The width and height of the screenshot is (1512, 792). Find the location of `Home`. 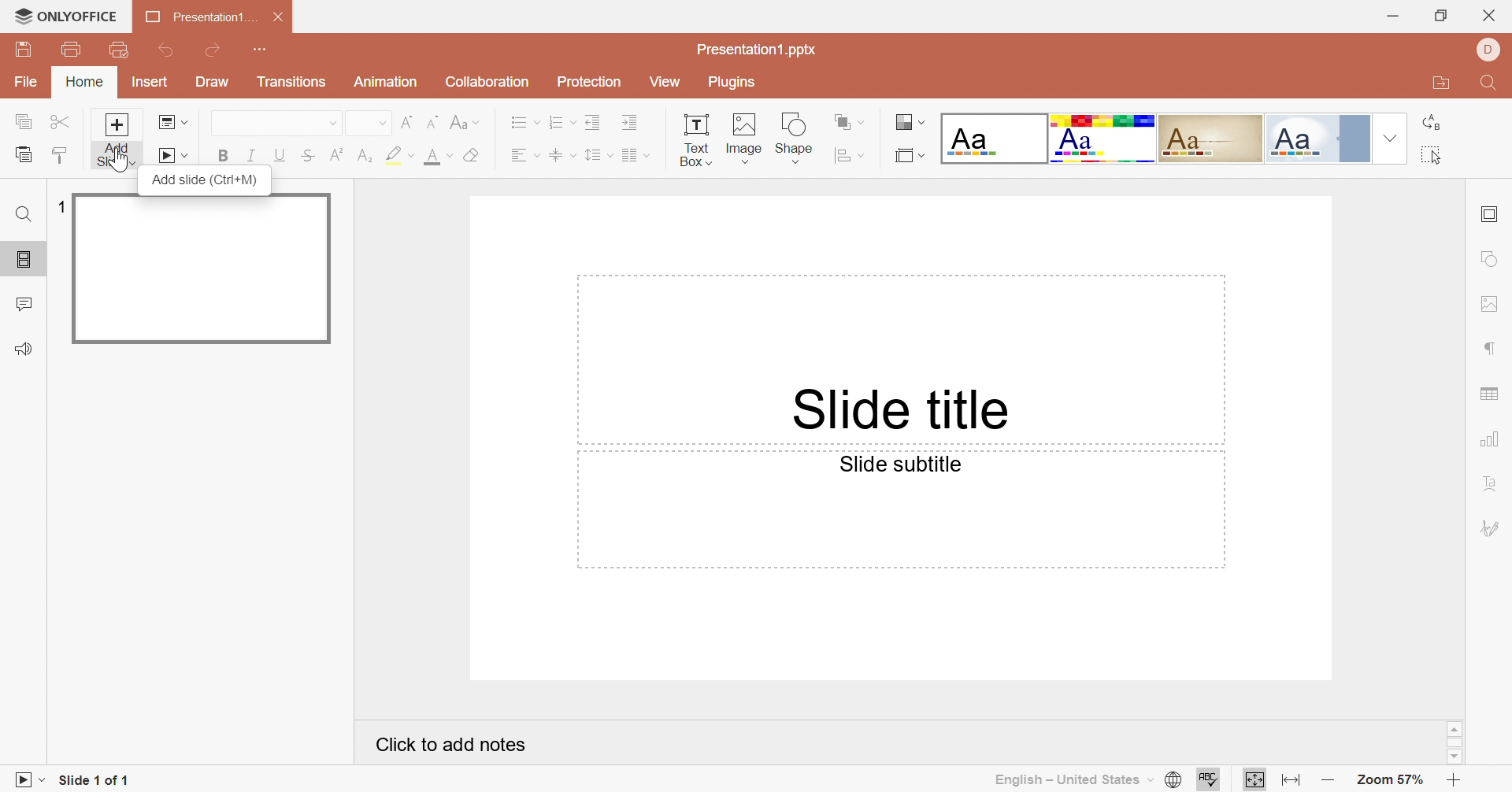

Home is located at coordinates (87, 83).